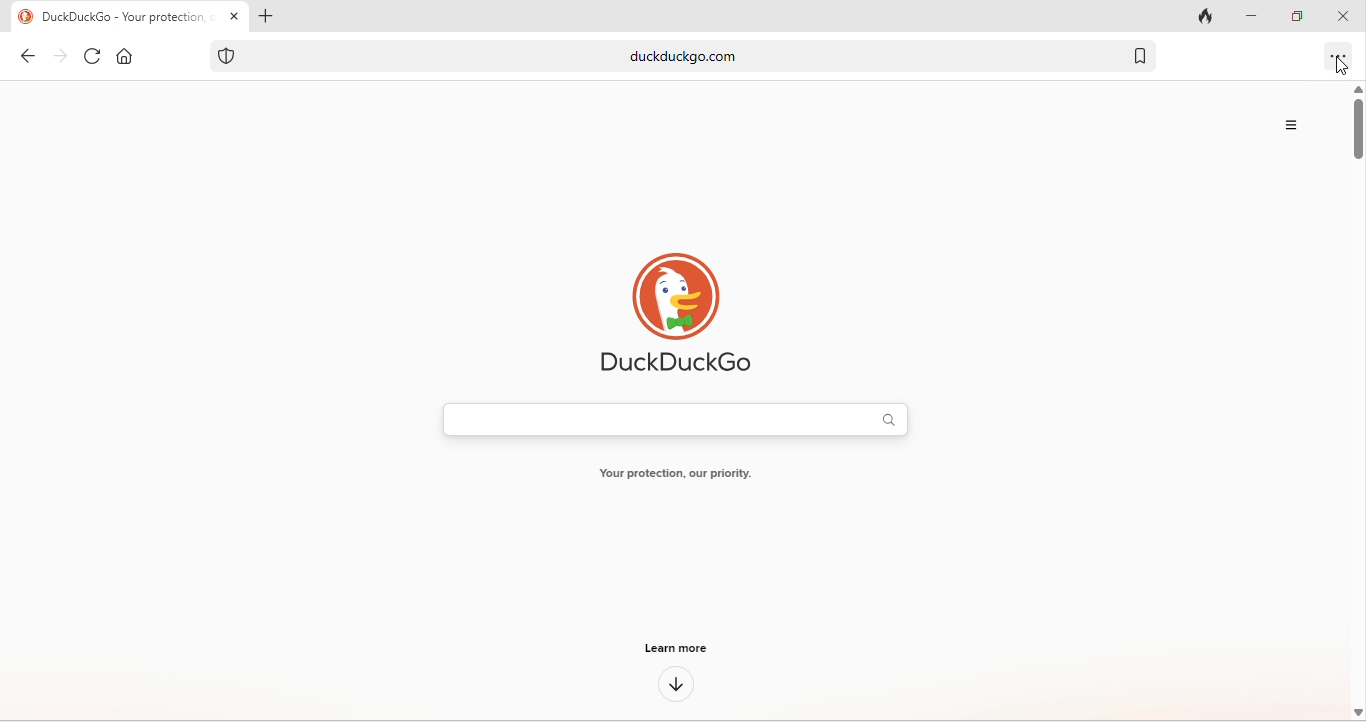 Image resolution: width=1366 pixels, height=722 pixels. Describe the element at coordinates (1357, 89) in the screenshot. I see `scroll up` at that location.